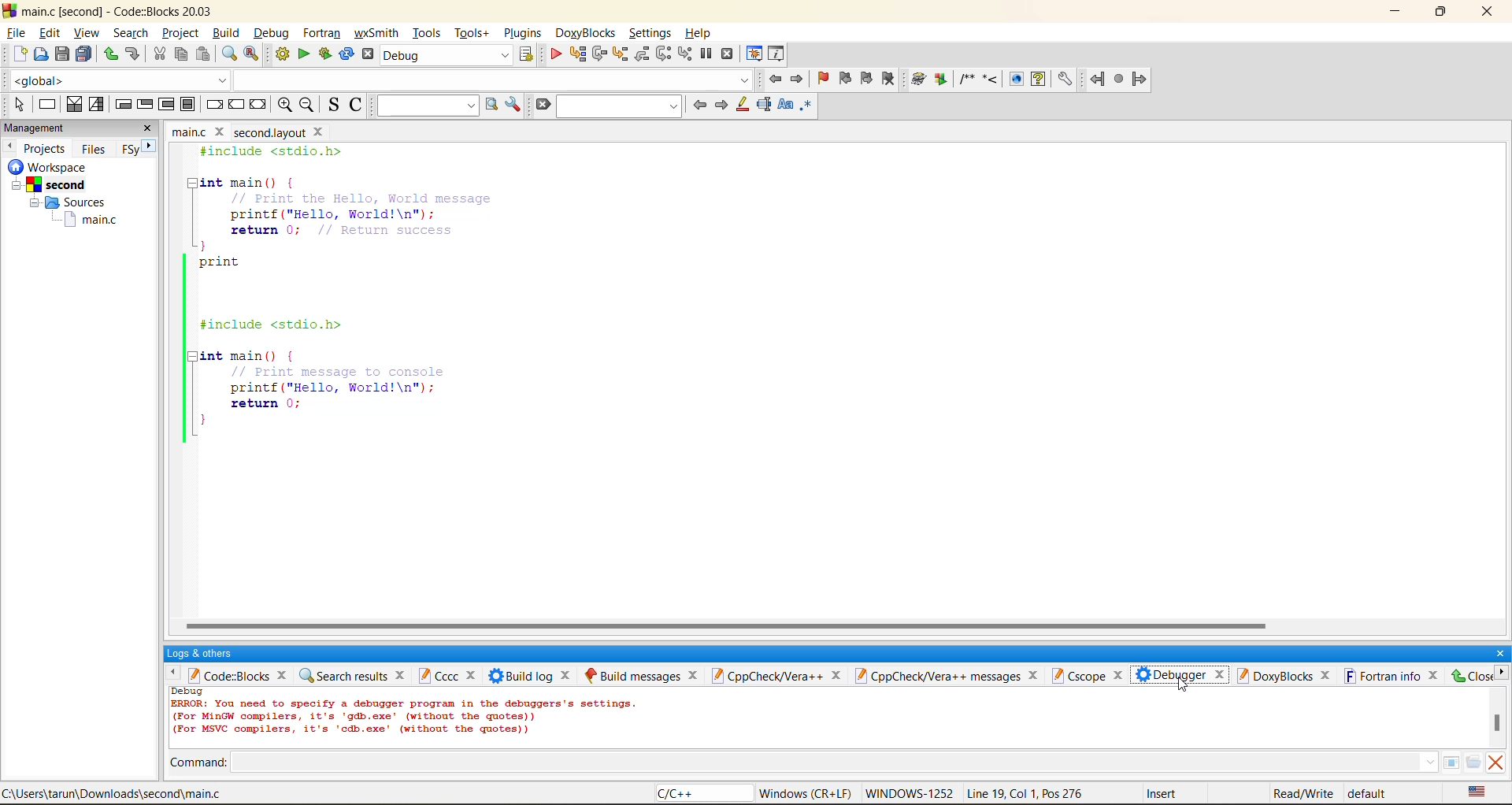 The height and width of the screenshot is (805, 1512). What do you see at coordinates (950, 675) in the screenshot?
I see `cppcheck/vera++ messages` at bounding box center [950, 675].